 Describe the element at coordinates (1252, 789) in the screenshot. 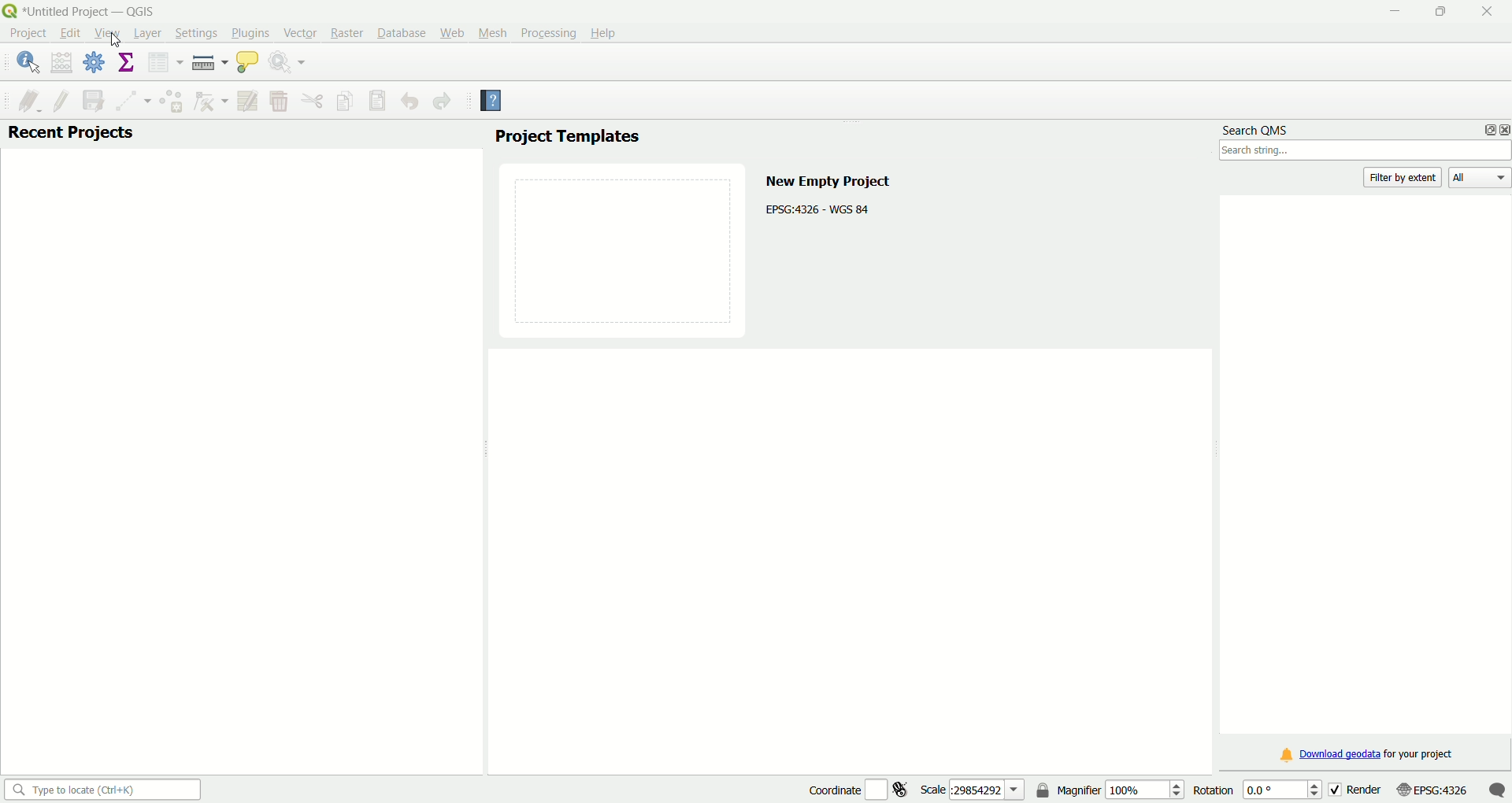

I see `rotation` at that location.